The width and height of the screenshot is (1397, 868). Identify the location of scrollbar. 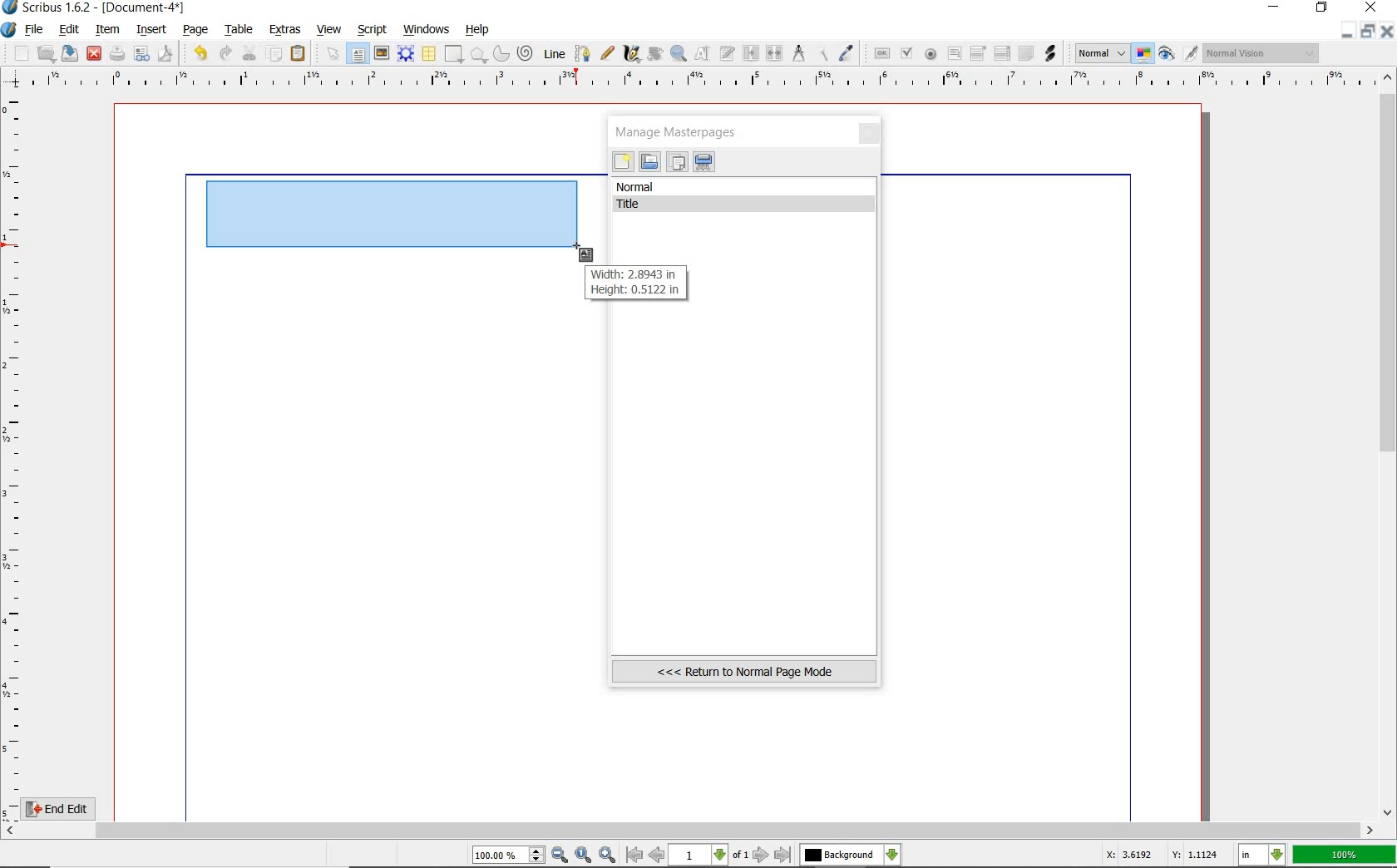
(1389, 443).